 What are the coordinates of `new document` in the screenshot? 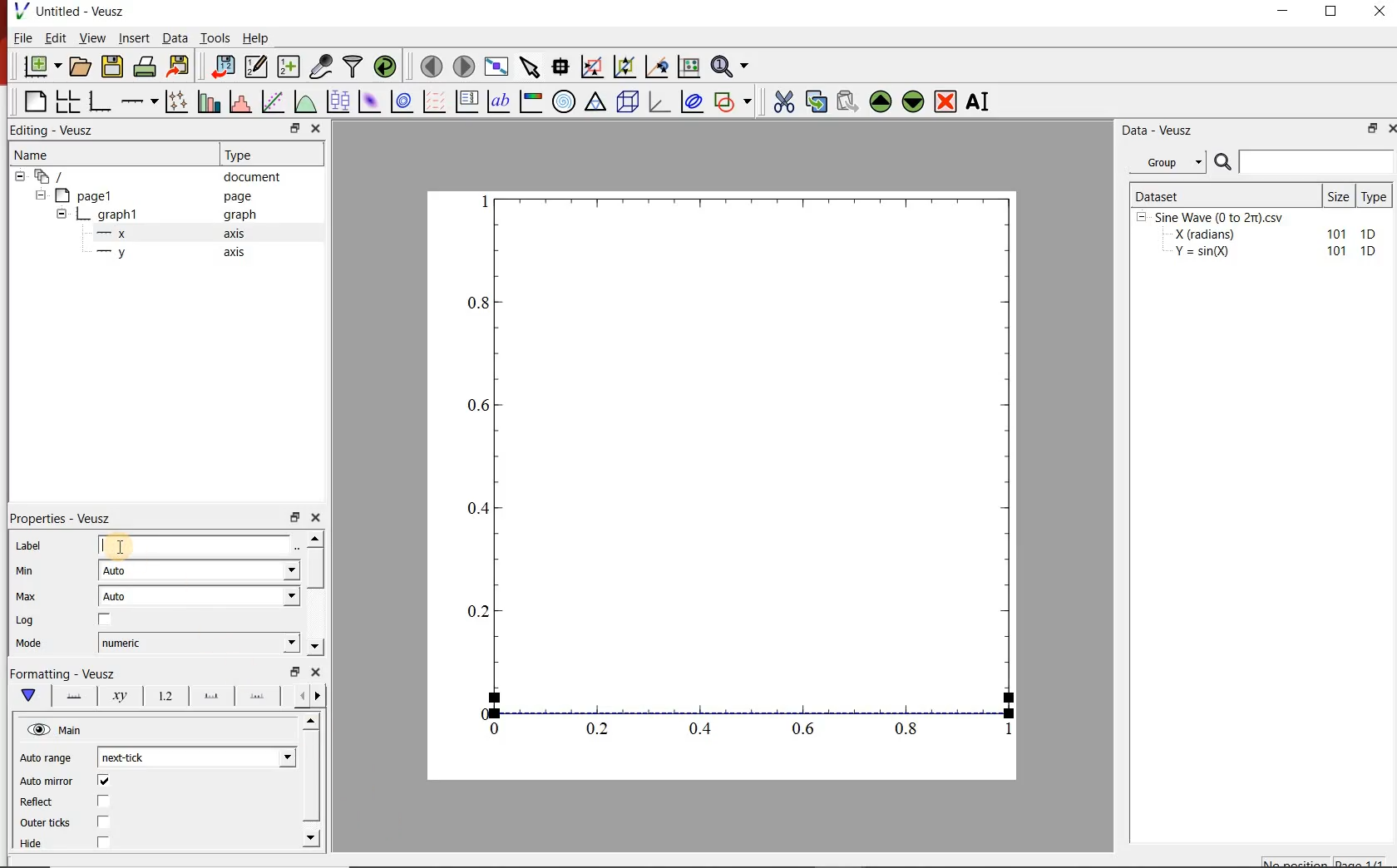 It's located at (42, 67).